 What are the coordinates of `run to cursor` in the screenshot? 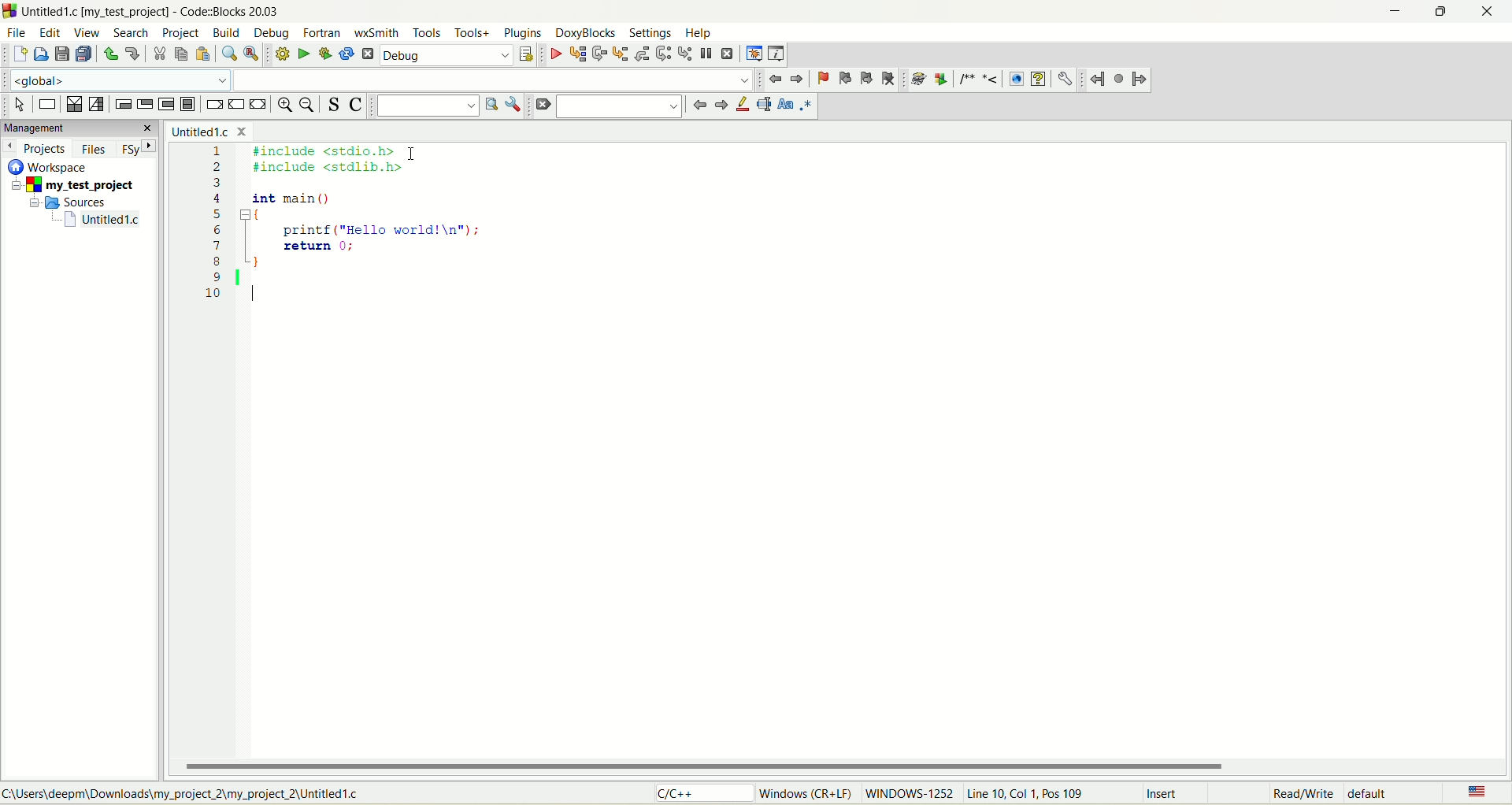 It's located at (578, 54).